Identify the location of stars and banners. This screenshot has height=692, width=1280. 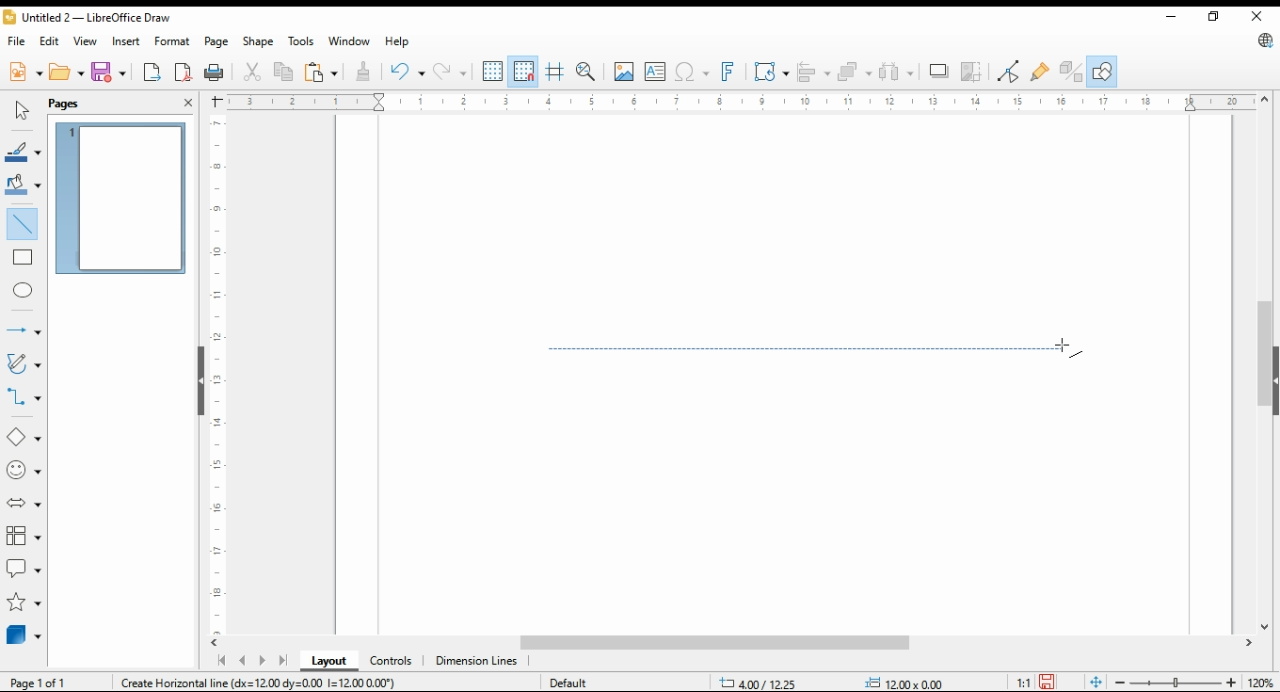
(24, 602).